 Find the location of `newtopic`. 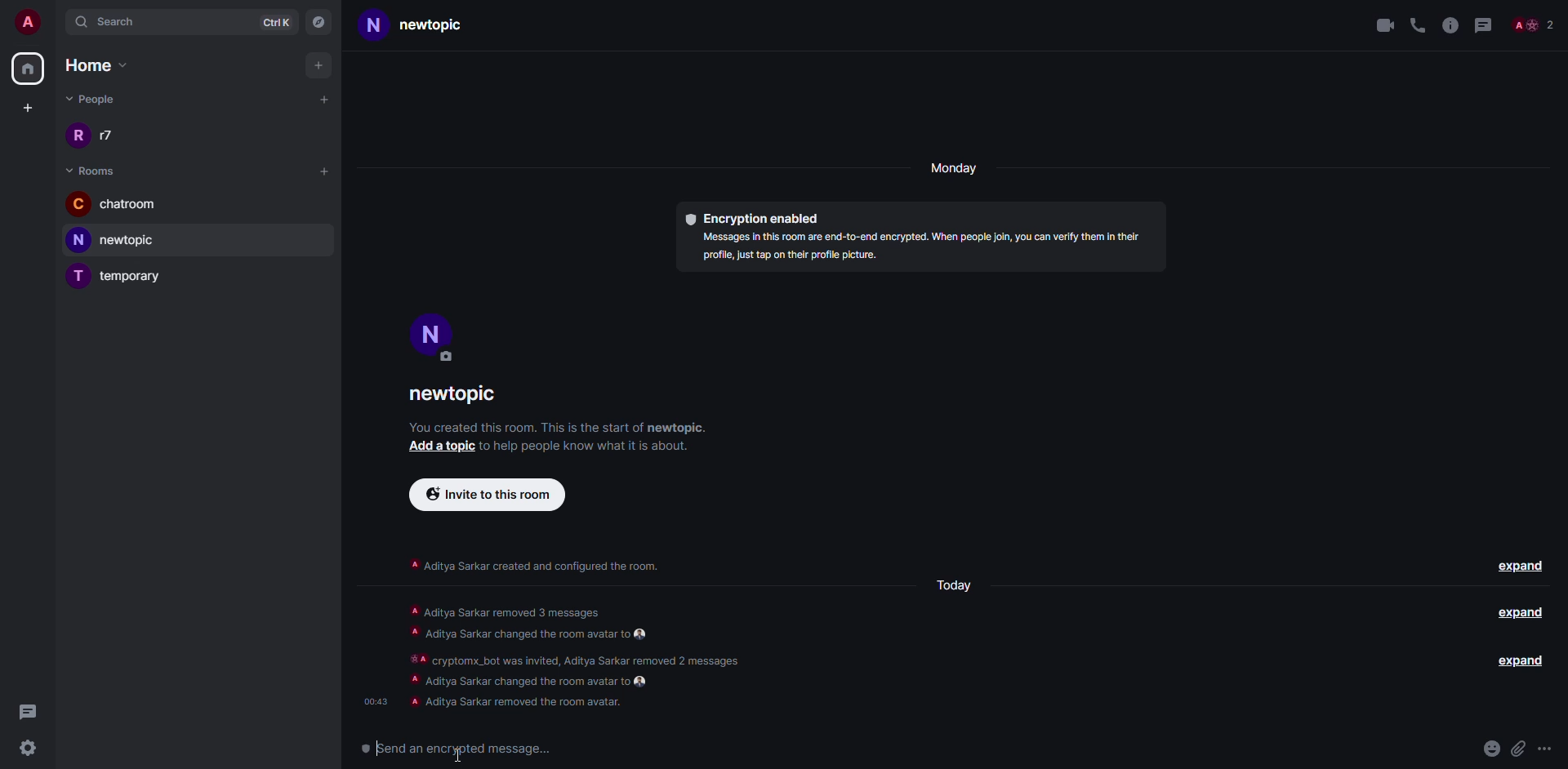

newtopic is located at coordinates (434, 26).